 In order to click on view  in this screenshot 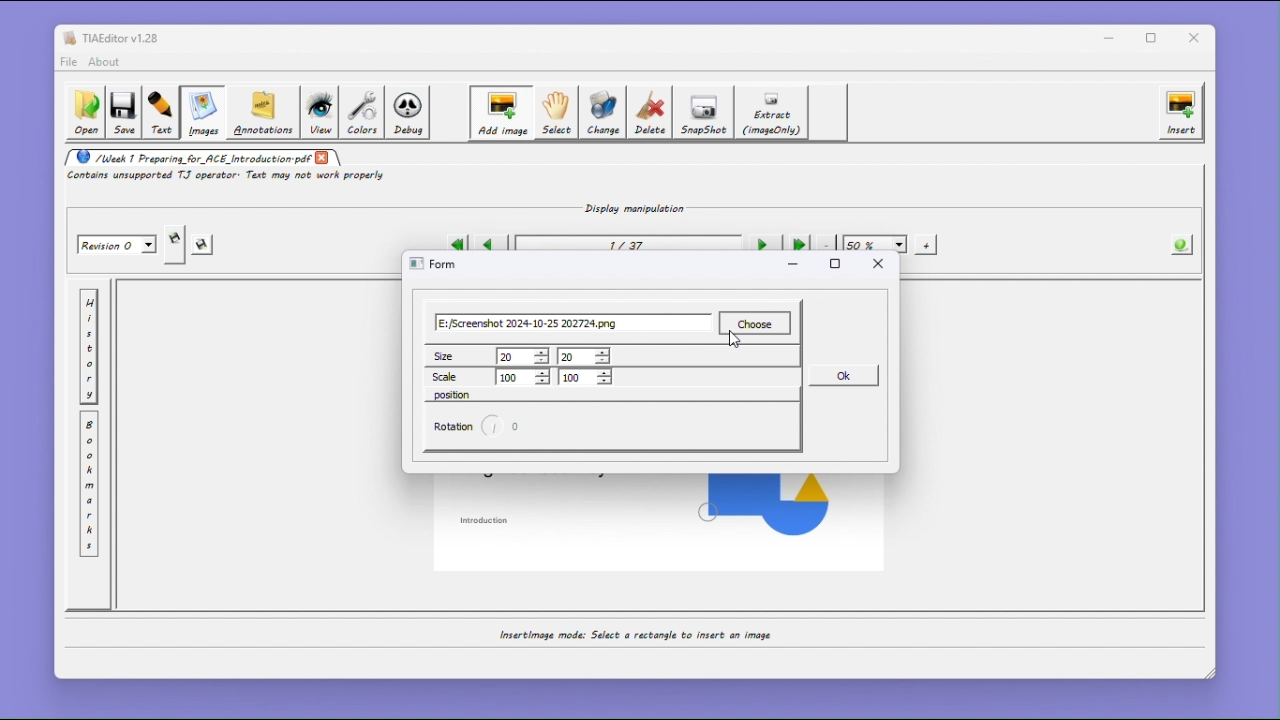, I will do `click(319, 113)`.